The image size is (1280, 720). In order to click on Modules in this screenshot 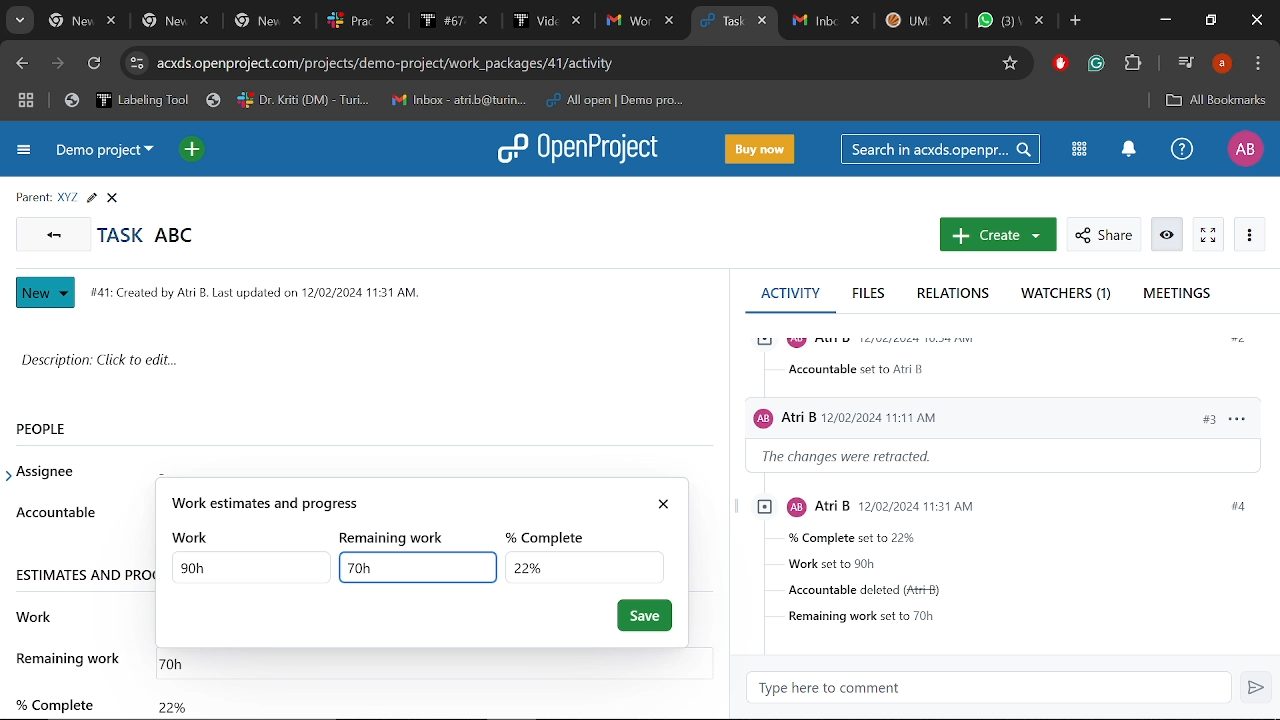, I will do `click(1079, 149)`.